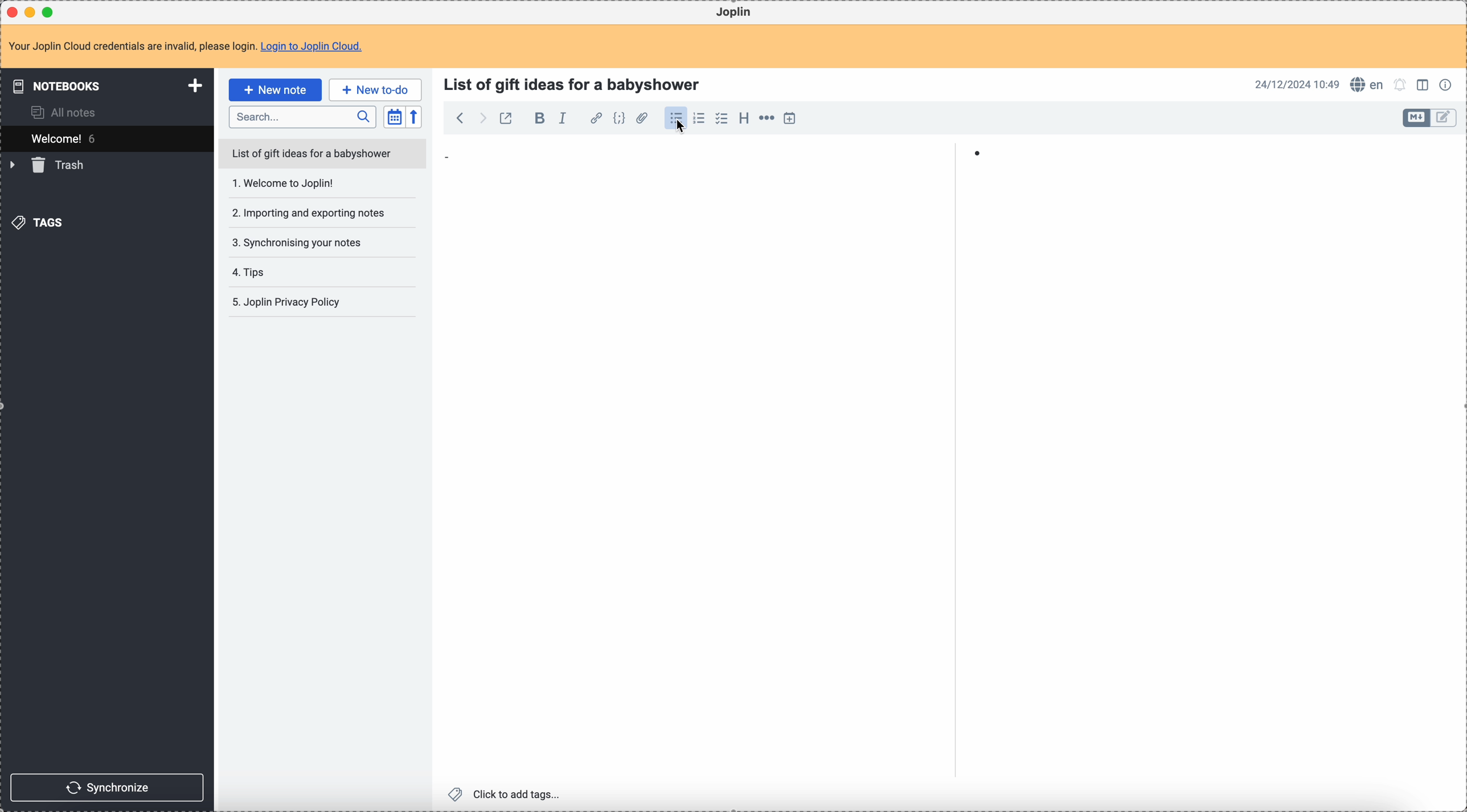 This screenshot has width=1467, height=812. What do you see at coordinates (644, 119) in the screenshot?
I see `attach file` at bounding box center [644, 119].